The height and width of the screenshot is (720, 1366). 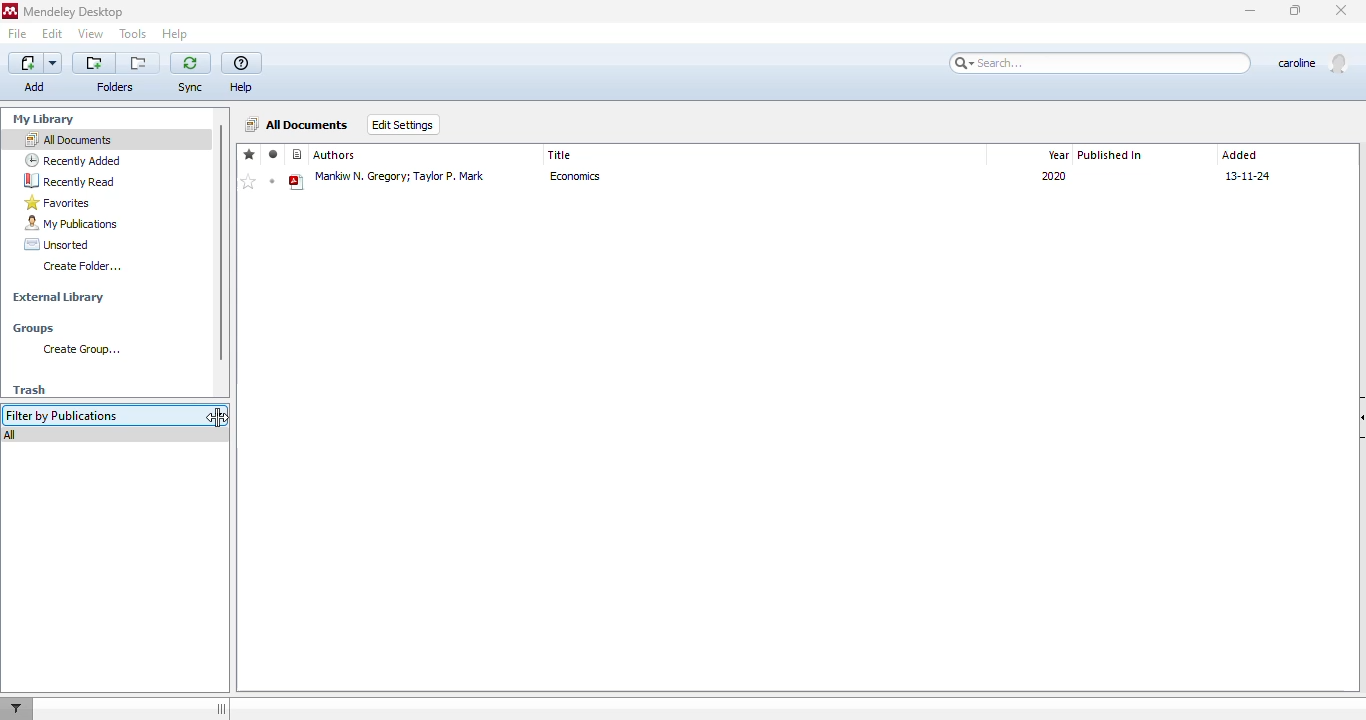 I want to click on my library, so click(x=44, y=119).